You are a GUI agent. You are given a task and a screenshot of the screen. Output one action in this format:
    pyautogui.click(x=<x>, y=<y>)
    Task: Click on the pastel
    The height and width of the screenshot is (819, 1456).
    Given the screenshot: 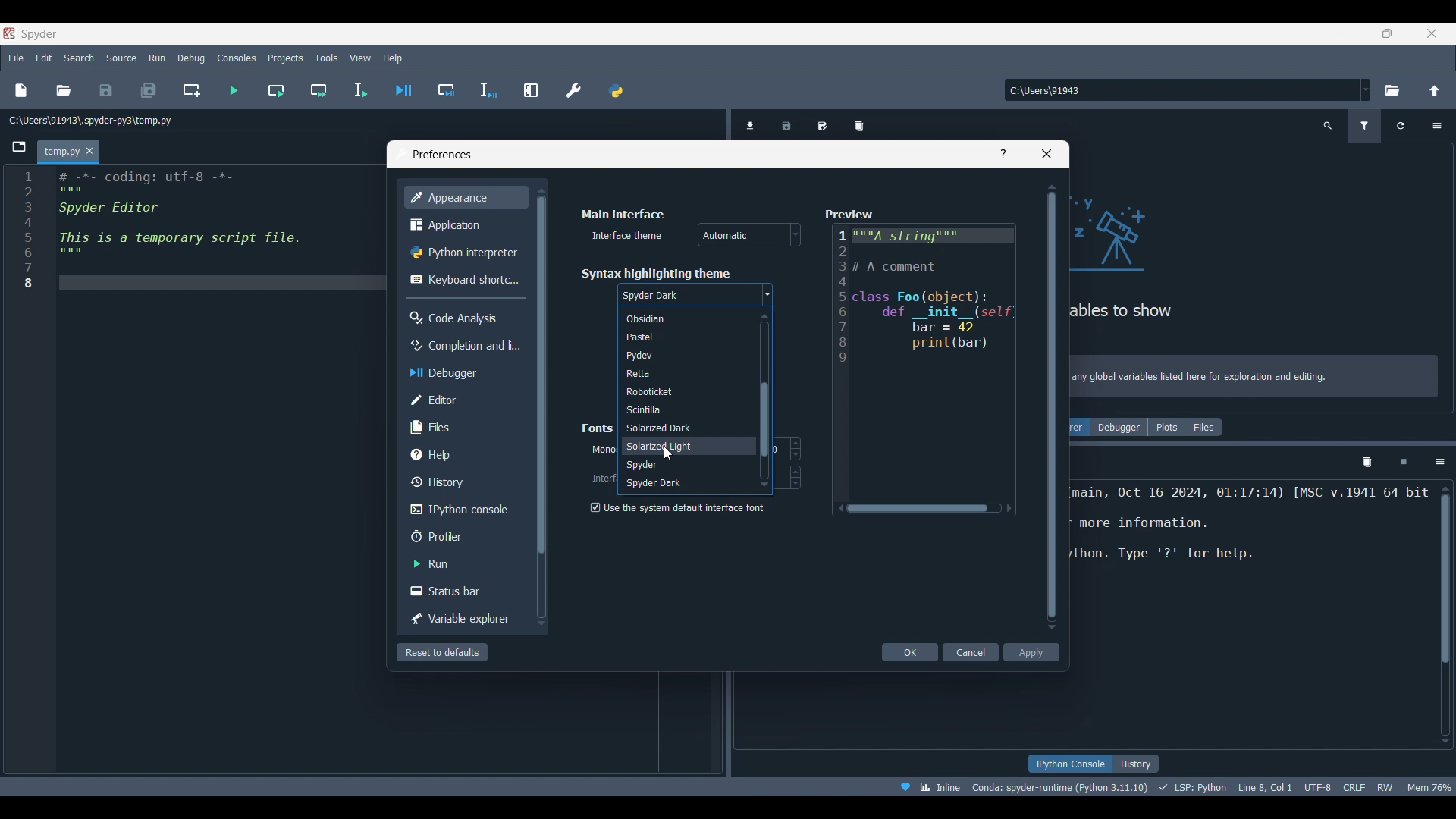 What is the action you would take?
    pyautogui.click(x=679, y=337)
    